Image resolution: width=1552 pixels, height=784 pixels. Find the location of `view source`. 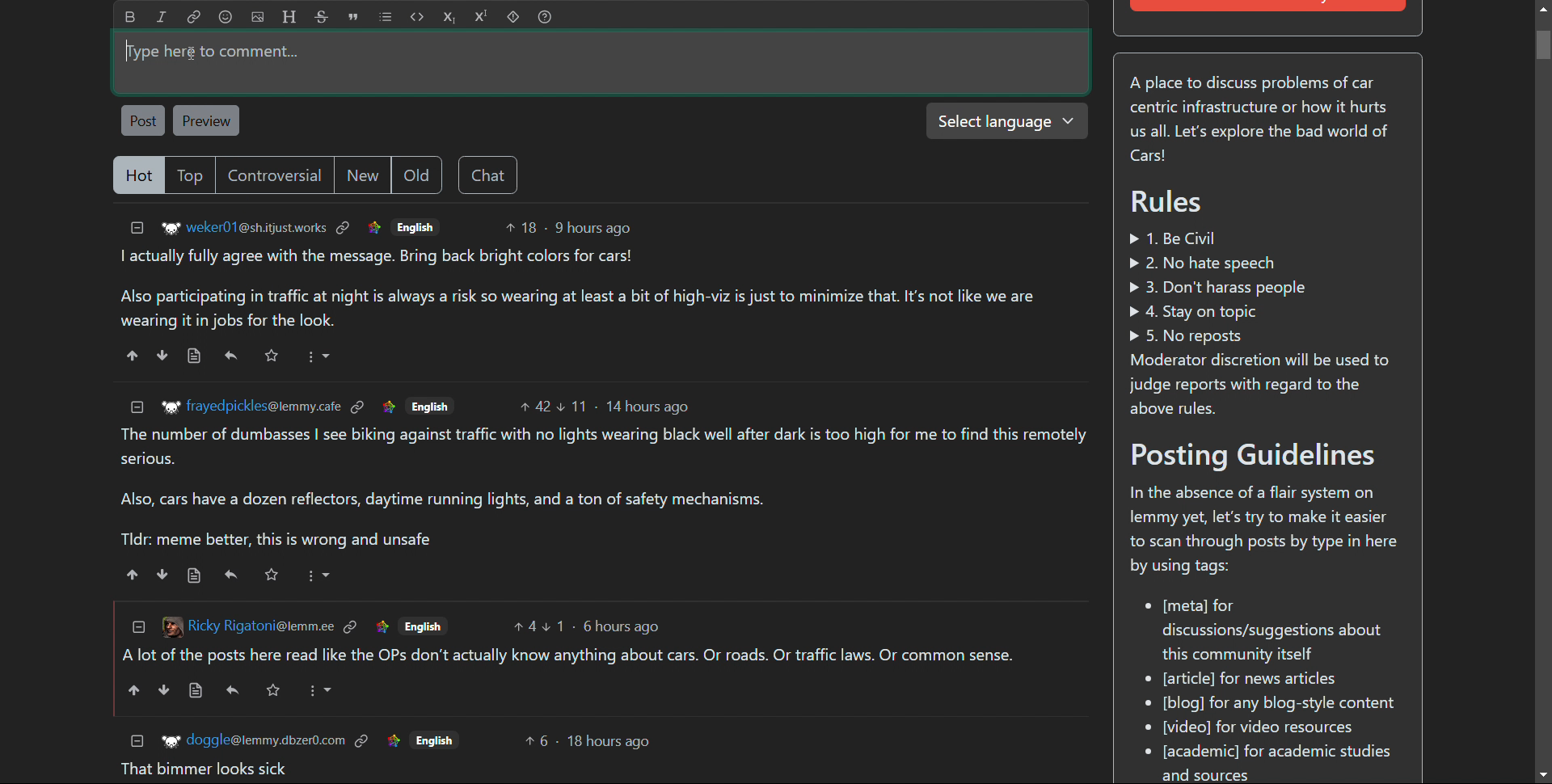

view source is located at coordinates (195, 575).